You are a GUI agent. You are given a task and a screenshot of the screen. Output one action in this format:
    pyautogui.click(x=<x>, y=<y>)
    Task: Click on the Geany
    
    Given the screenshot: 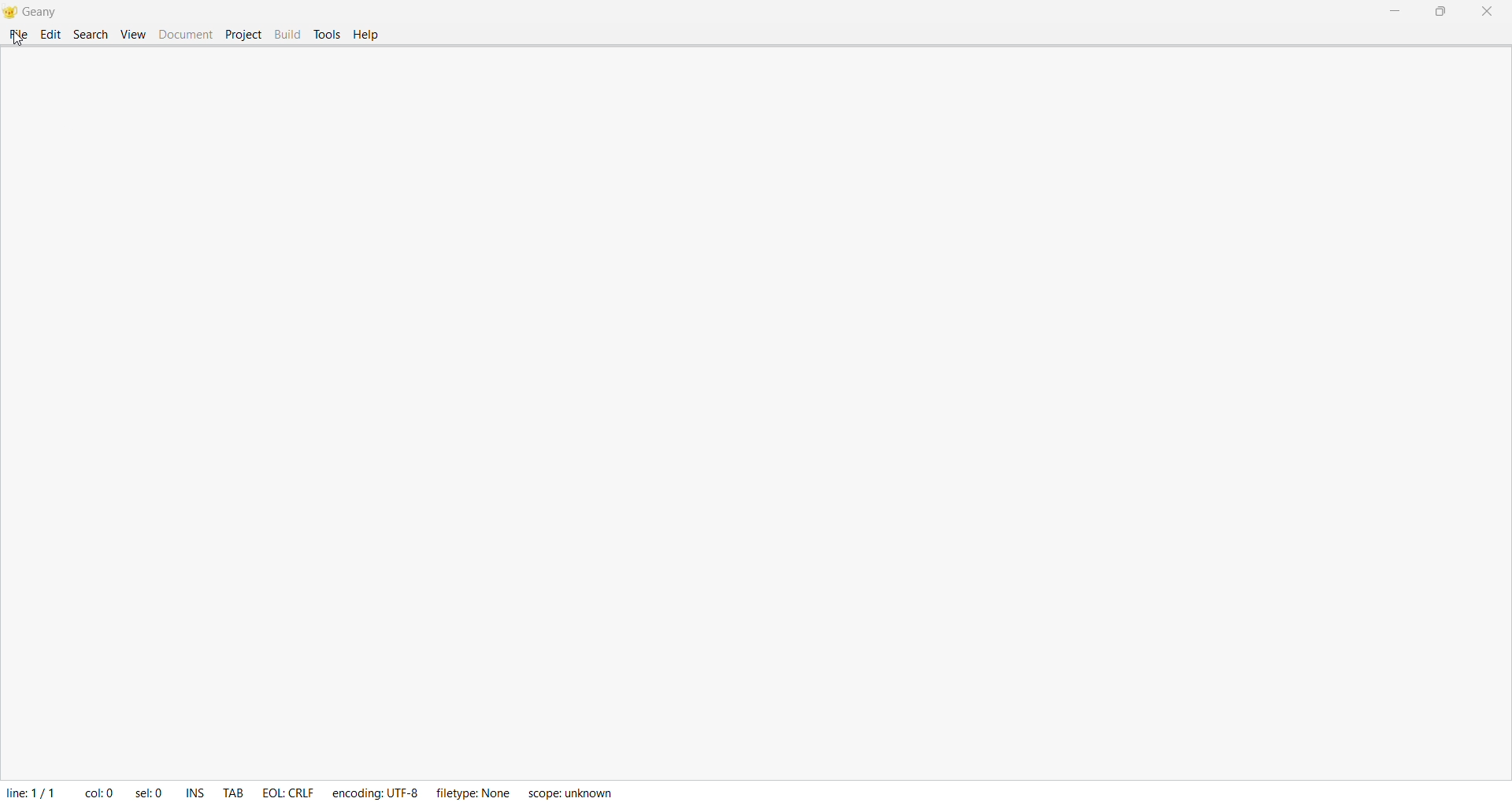 What is the action you would take?
    pyautogui.click(x=46, y=13)
    